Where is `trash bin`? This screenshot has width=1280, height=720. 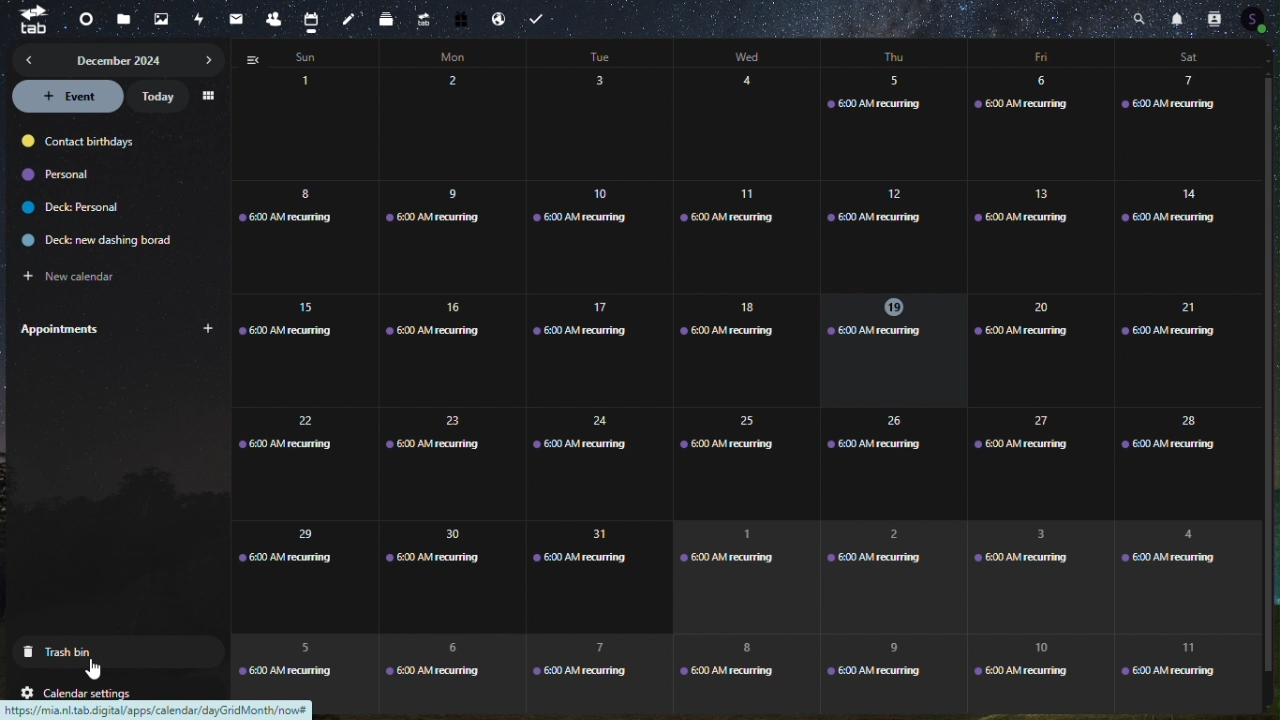 trash bin is located at coordinates (80, 651).